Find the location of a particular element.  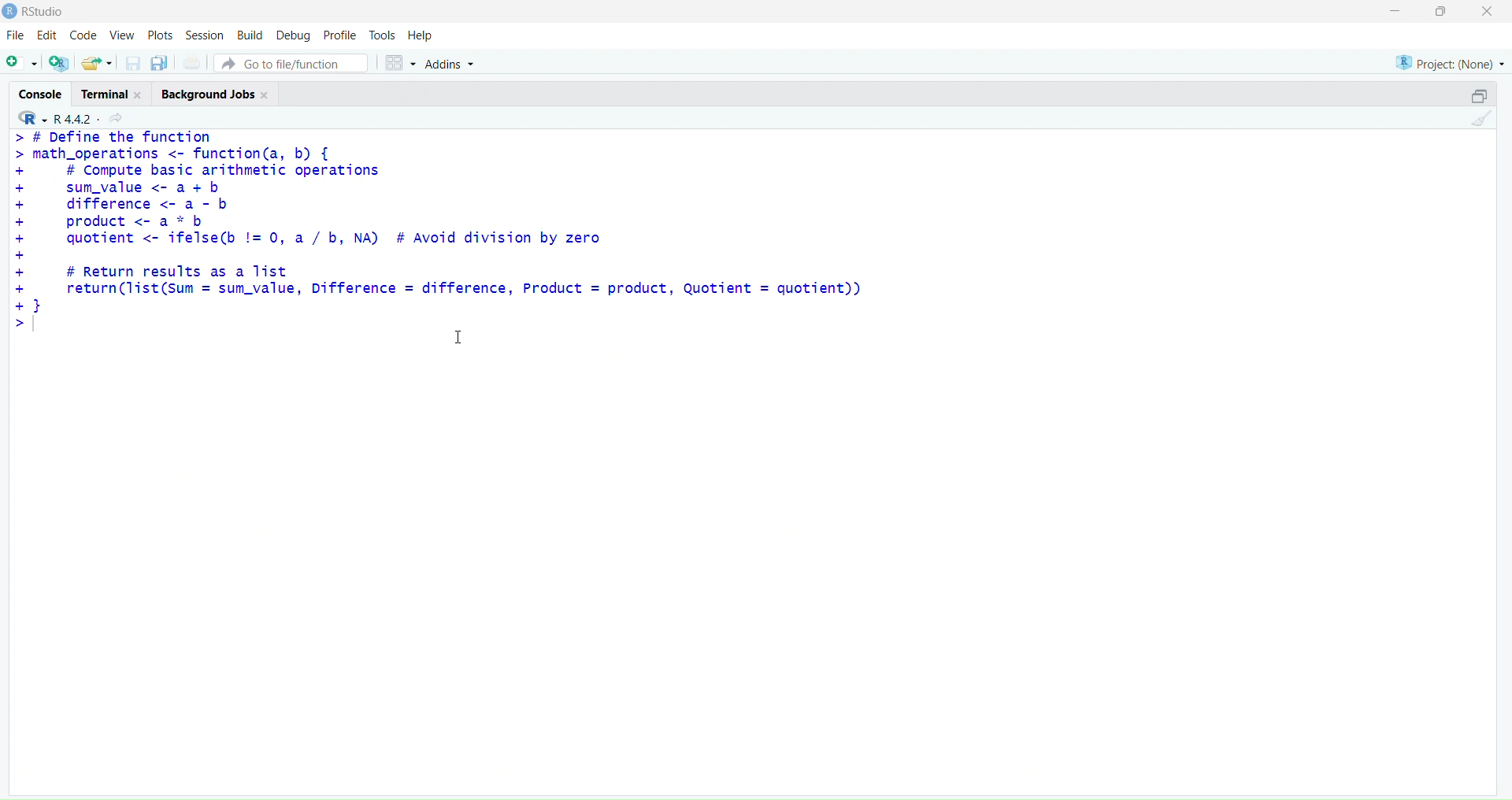

Help is located at coordinates (423, 35).